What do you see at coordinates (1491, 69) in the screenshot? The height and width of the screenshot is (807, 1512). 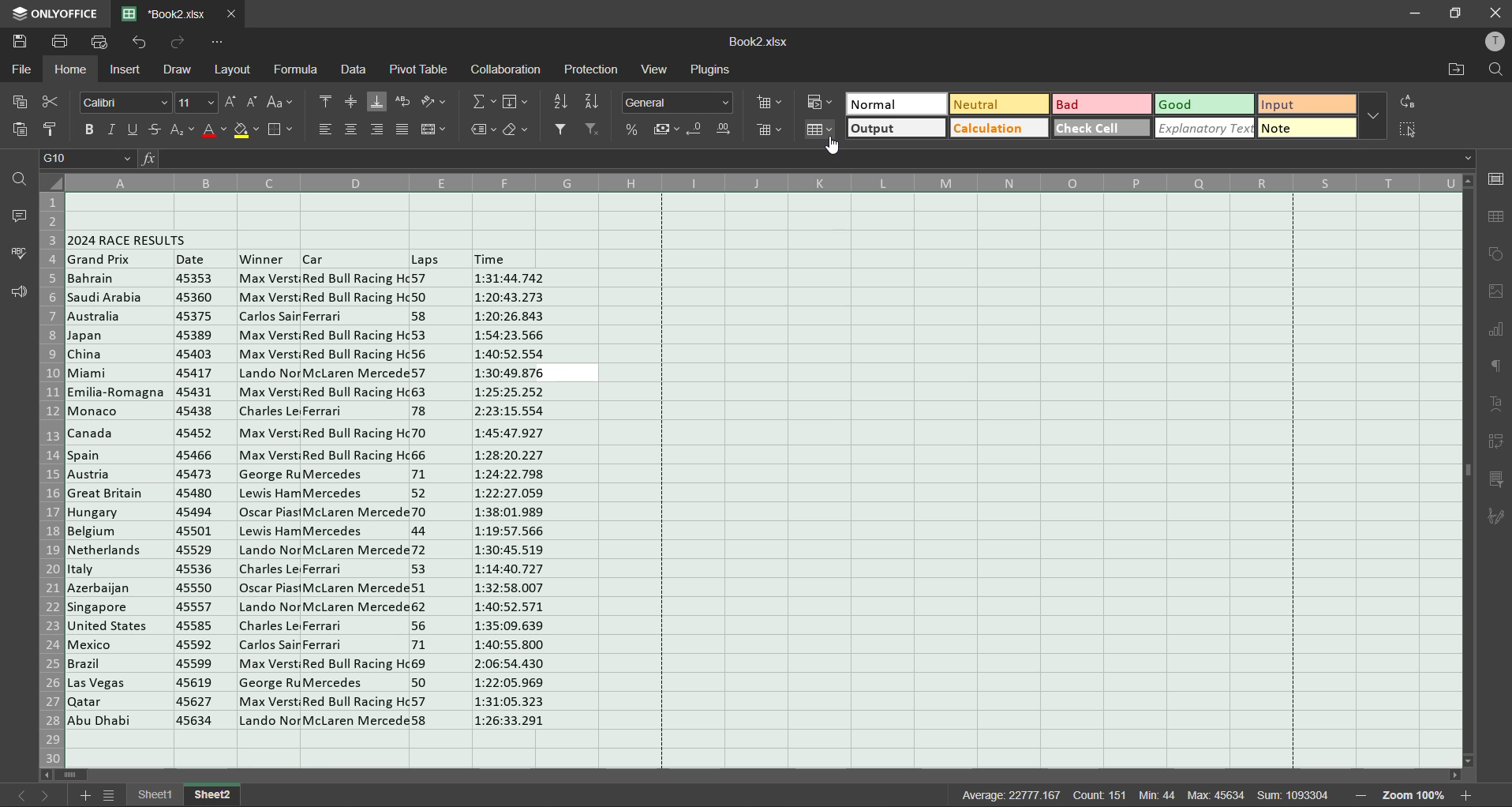 I see `find` at bounding box center [1491, 69].